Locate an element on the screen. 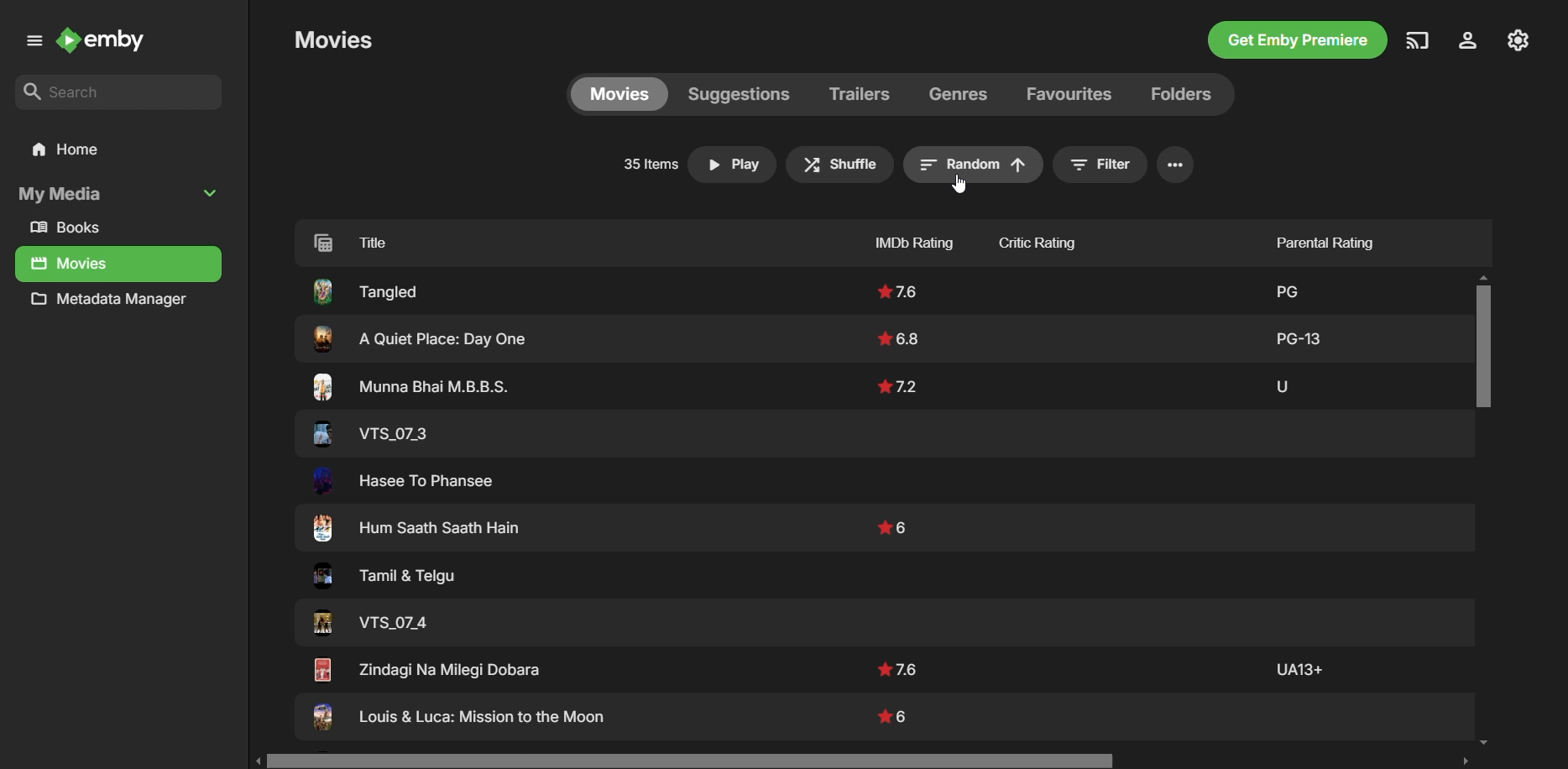 Image resolution: width=1568 pixels, height=769 pixels.  is located at coordinates (904, 337).